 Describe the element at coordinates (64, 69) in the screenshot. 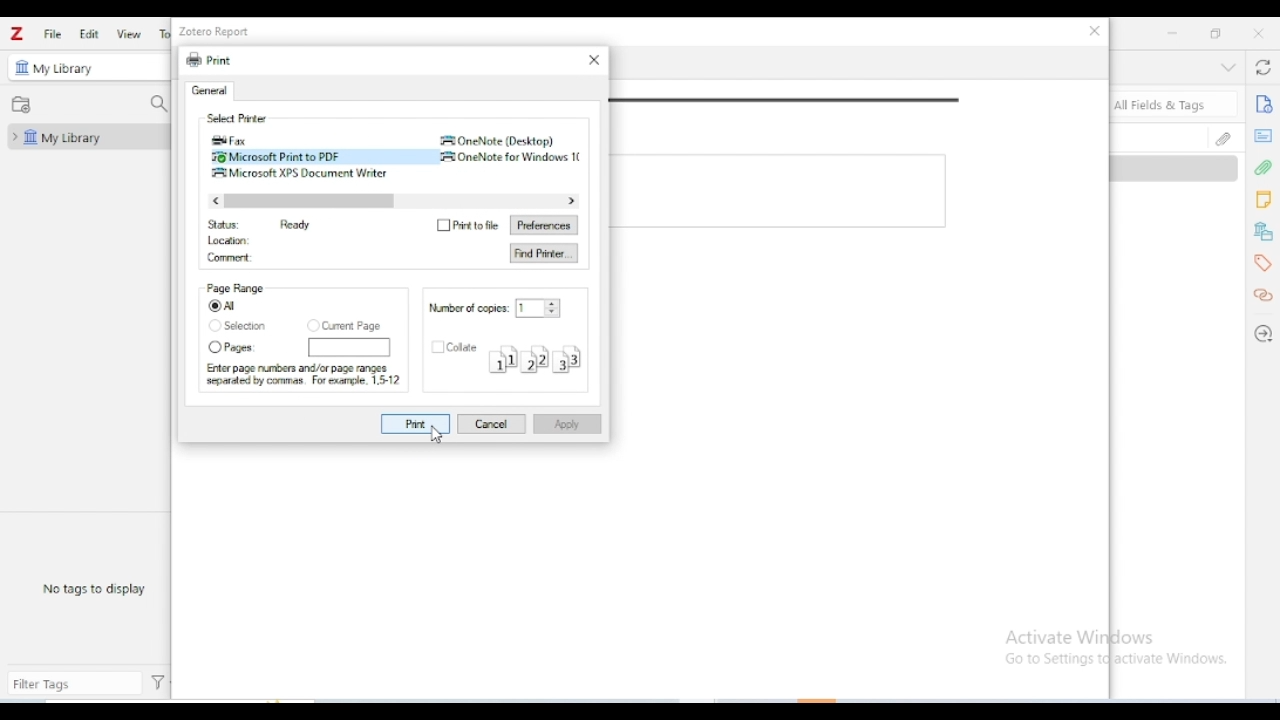

I see `my library` at that location.